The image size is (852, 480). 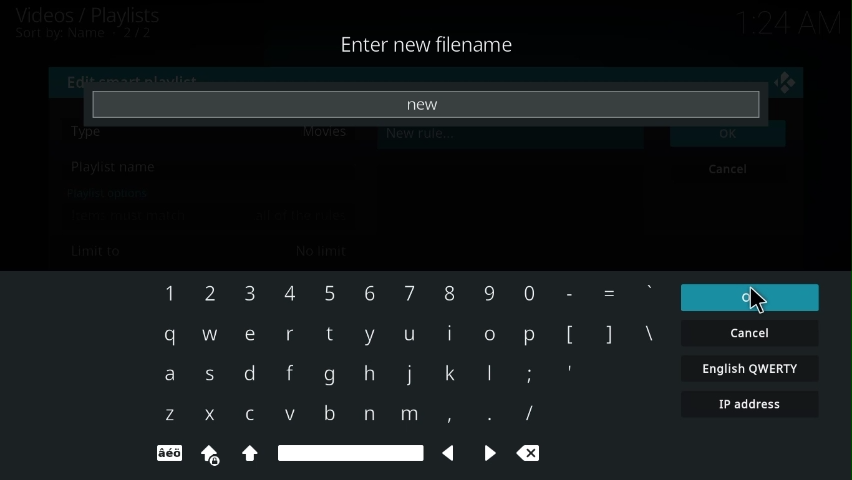 What do you see at coordinates (568, 378) in the screenshot?
I see `'` at bounding box center [568, 378].